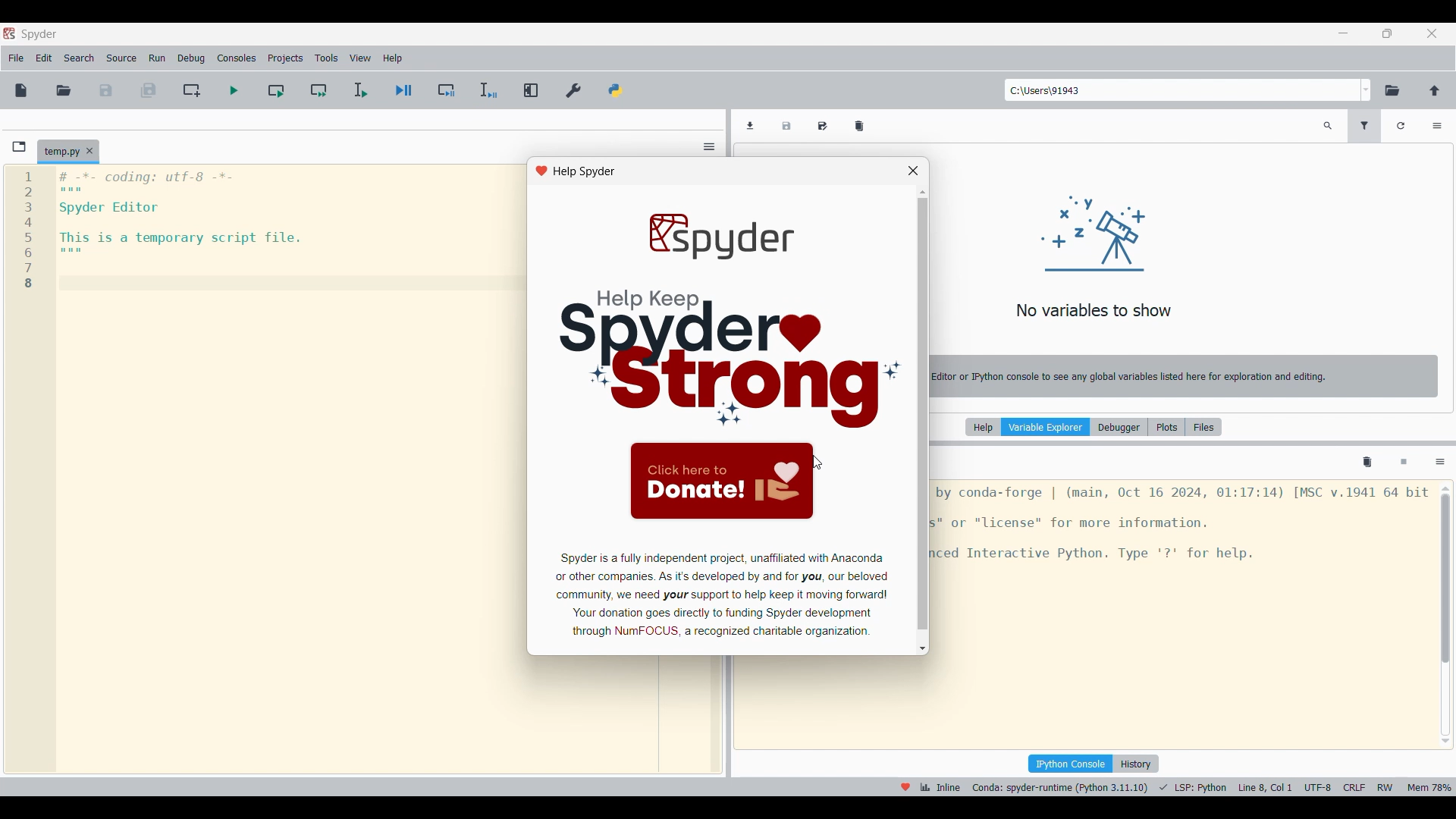  Describe the element at coordinates (281, 230) in the screenshot. I see `editor pane` at that location.